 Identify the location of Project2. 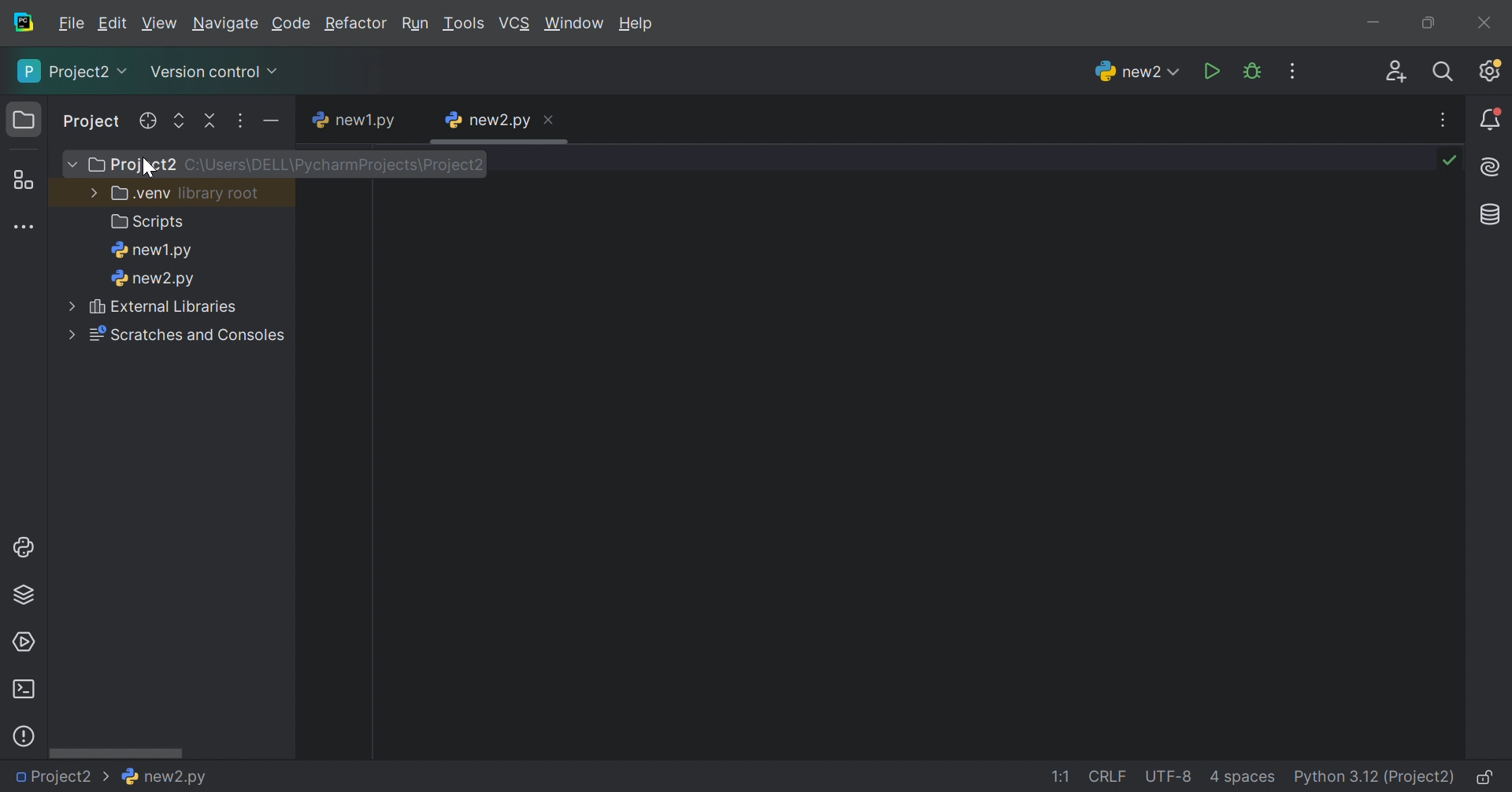
(56, 777).